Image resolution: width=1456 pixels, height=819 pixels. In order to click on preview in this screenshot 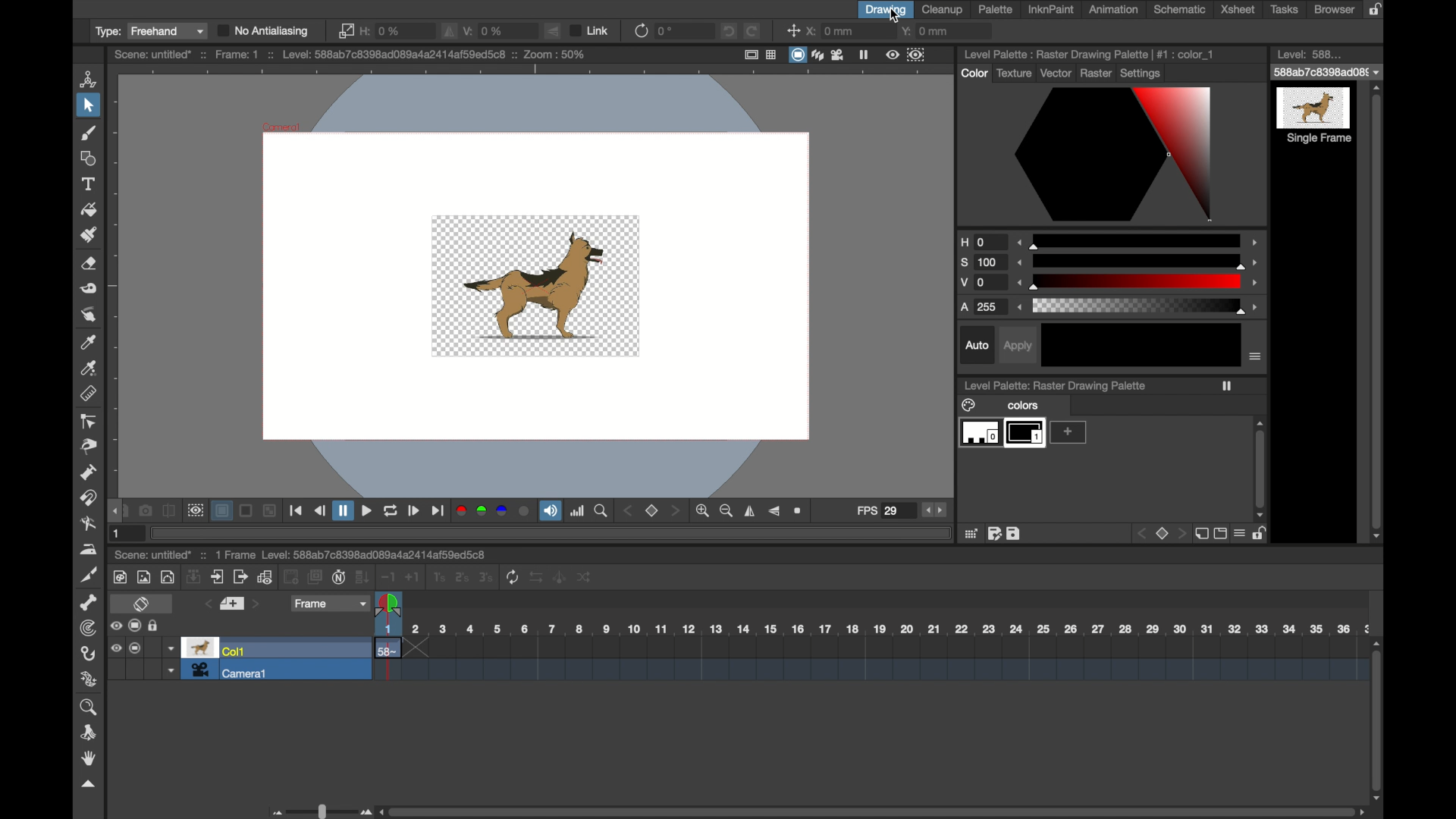, I will do `click(195, 511)`.